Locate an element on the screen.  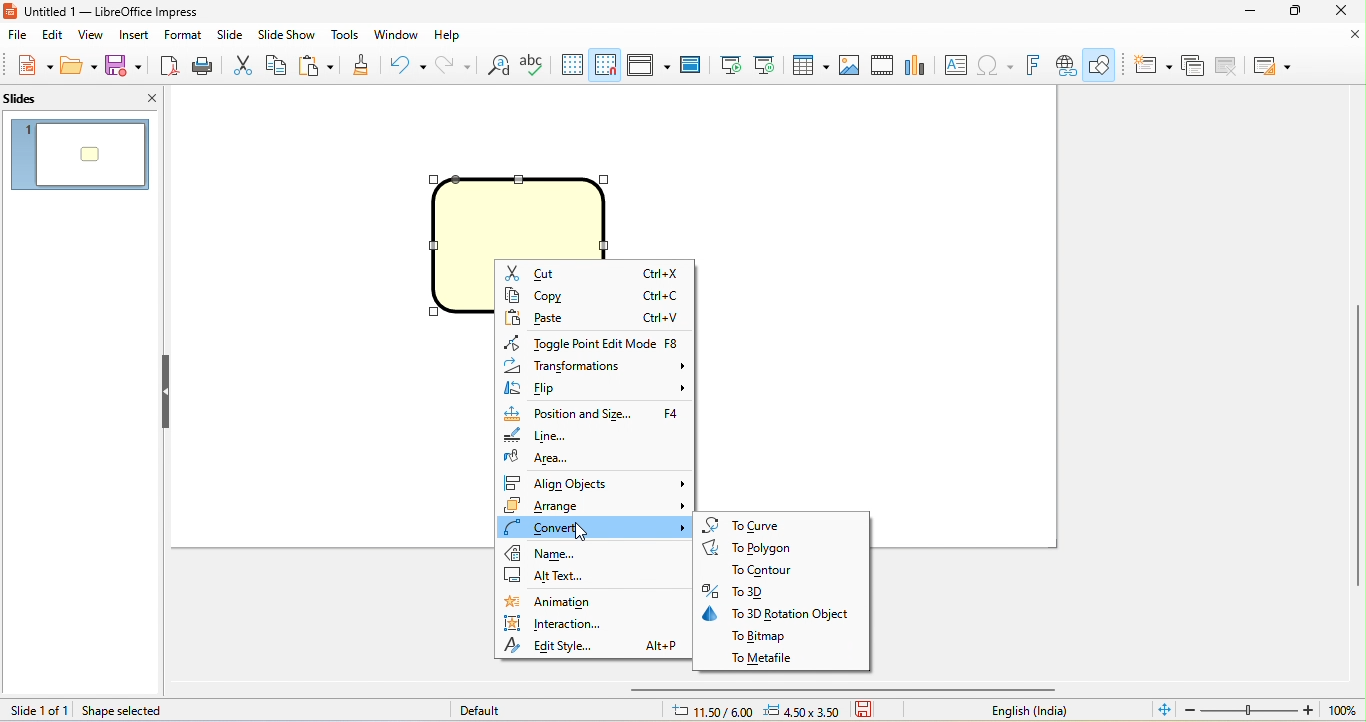
close is located at coordinates (140, 97).